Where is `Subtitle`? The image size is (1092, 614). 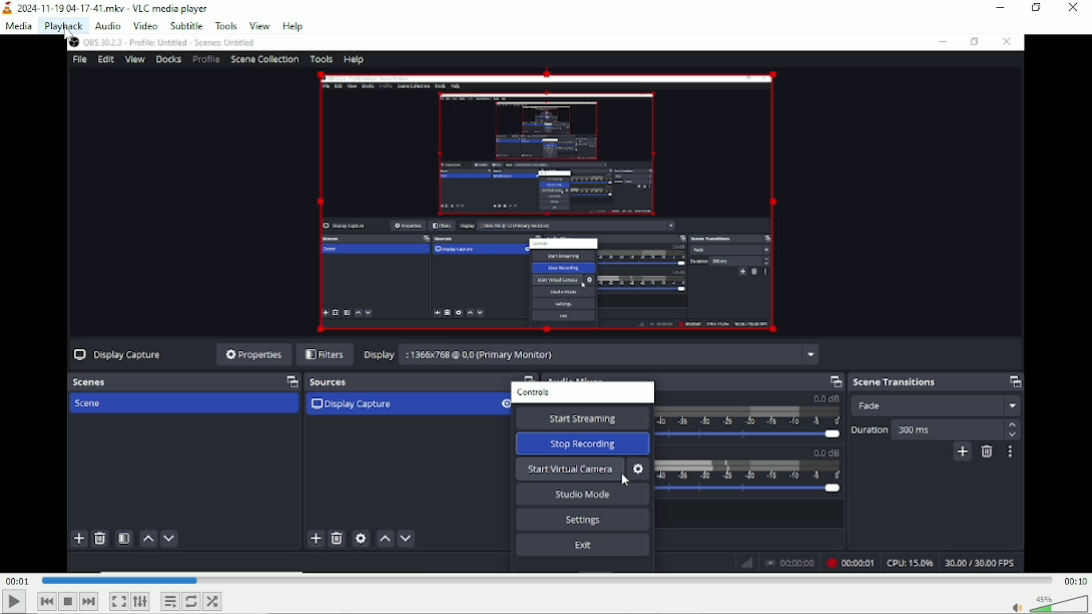 Subtitle is located at coordinates (186, 26).